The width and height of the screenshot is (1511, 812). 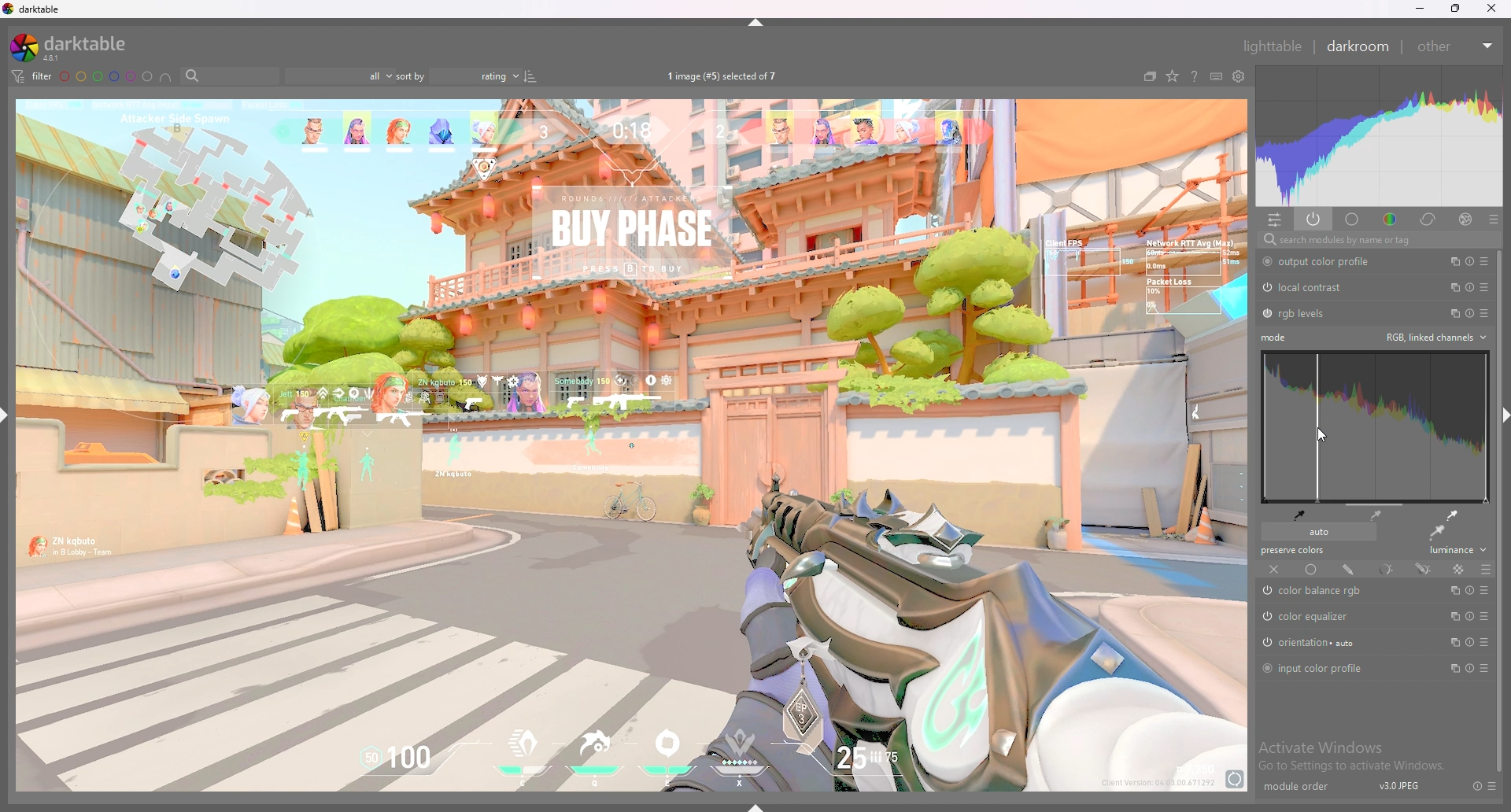 What do you see at coordinates (1239, 77) in the screenshot?
I see `show global preferences` at bounding box center [1239, 77].